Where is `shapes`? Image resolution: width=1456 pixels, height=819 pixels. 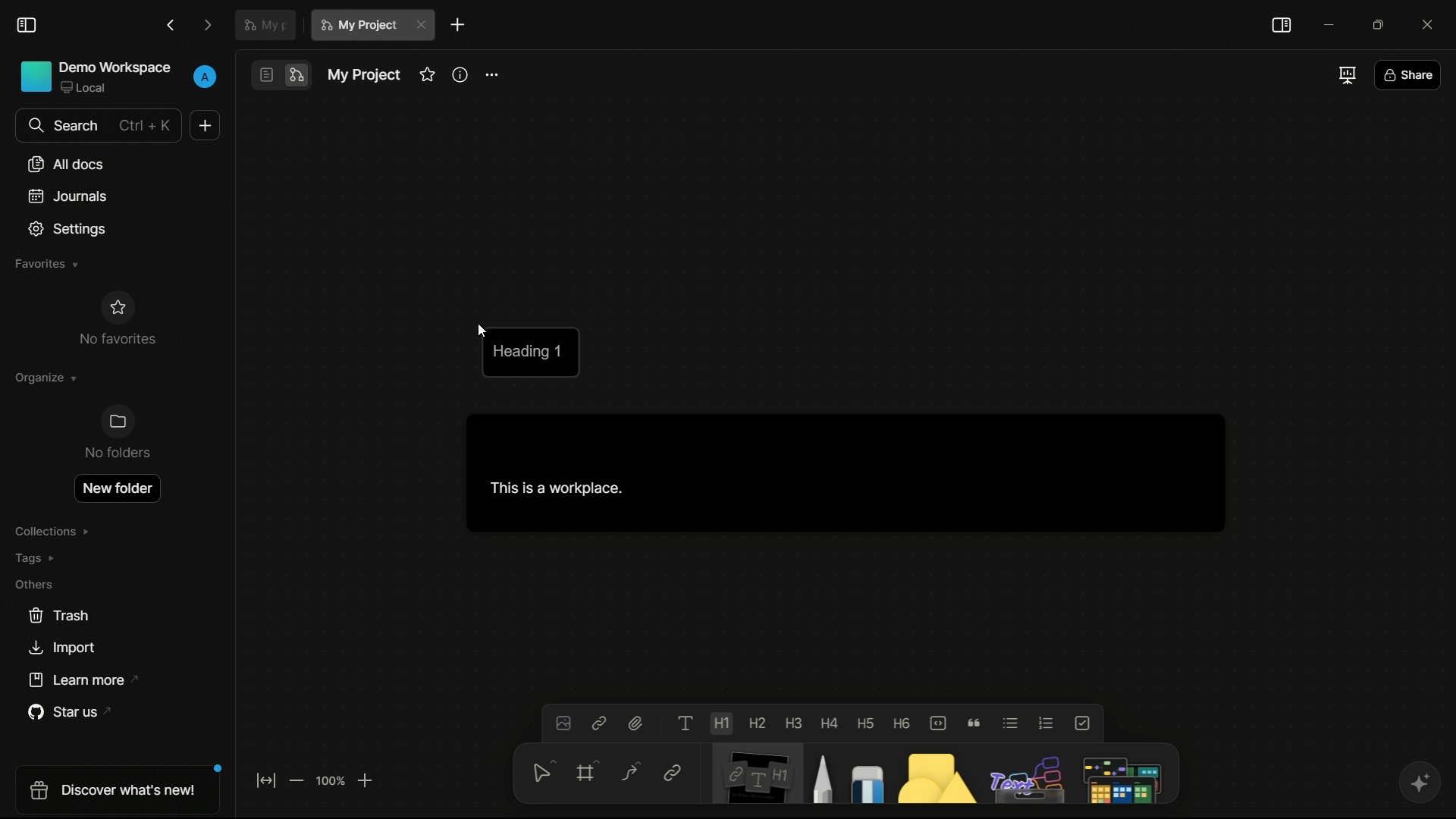 shapes is located at coordinates (931, 773).